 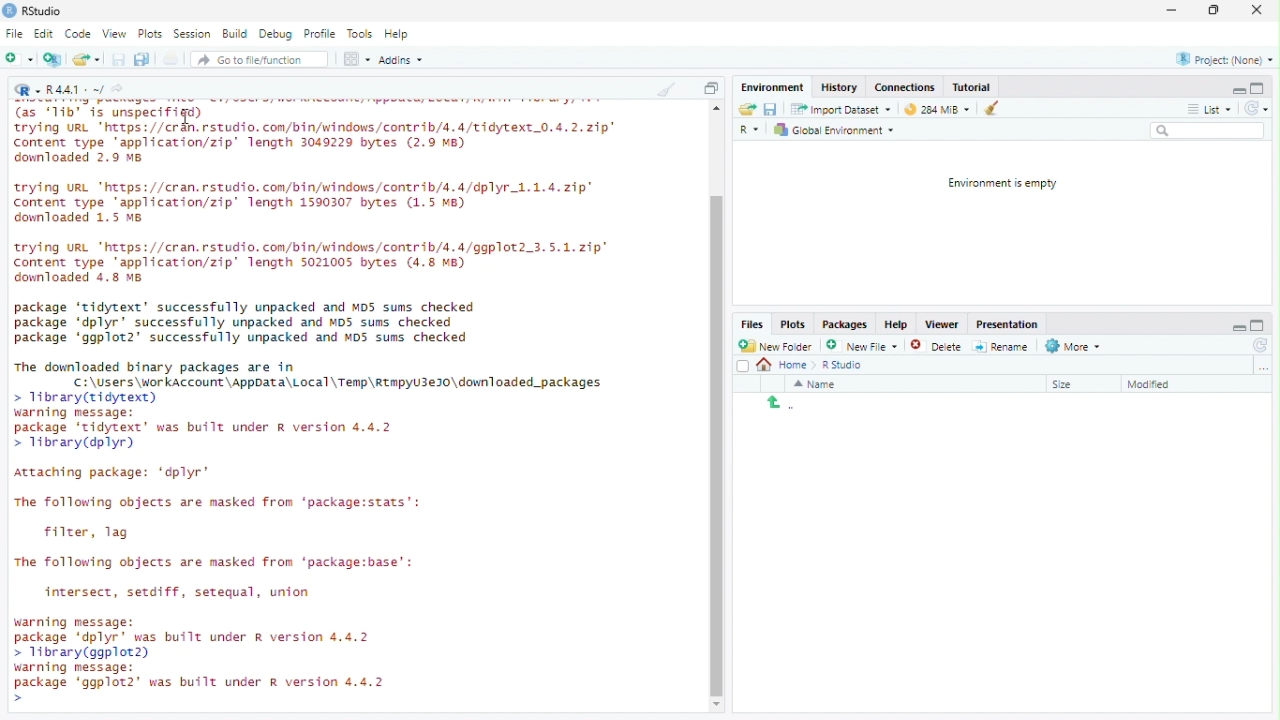 I want to click on Create new project, so click(x=53, y=59).